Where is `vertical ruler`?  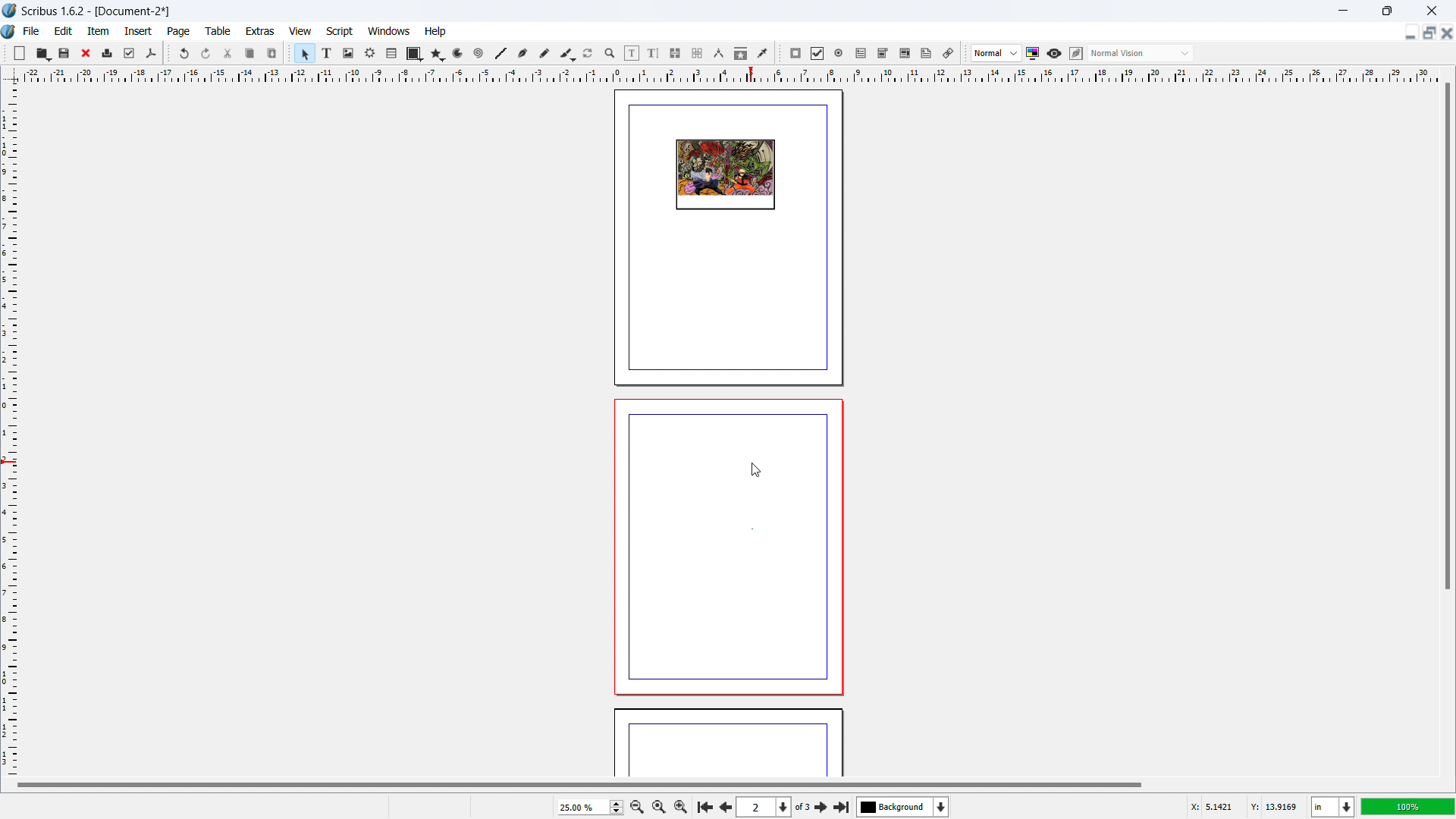 vertical ruler is located at coordinates (9, 430).